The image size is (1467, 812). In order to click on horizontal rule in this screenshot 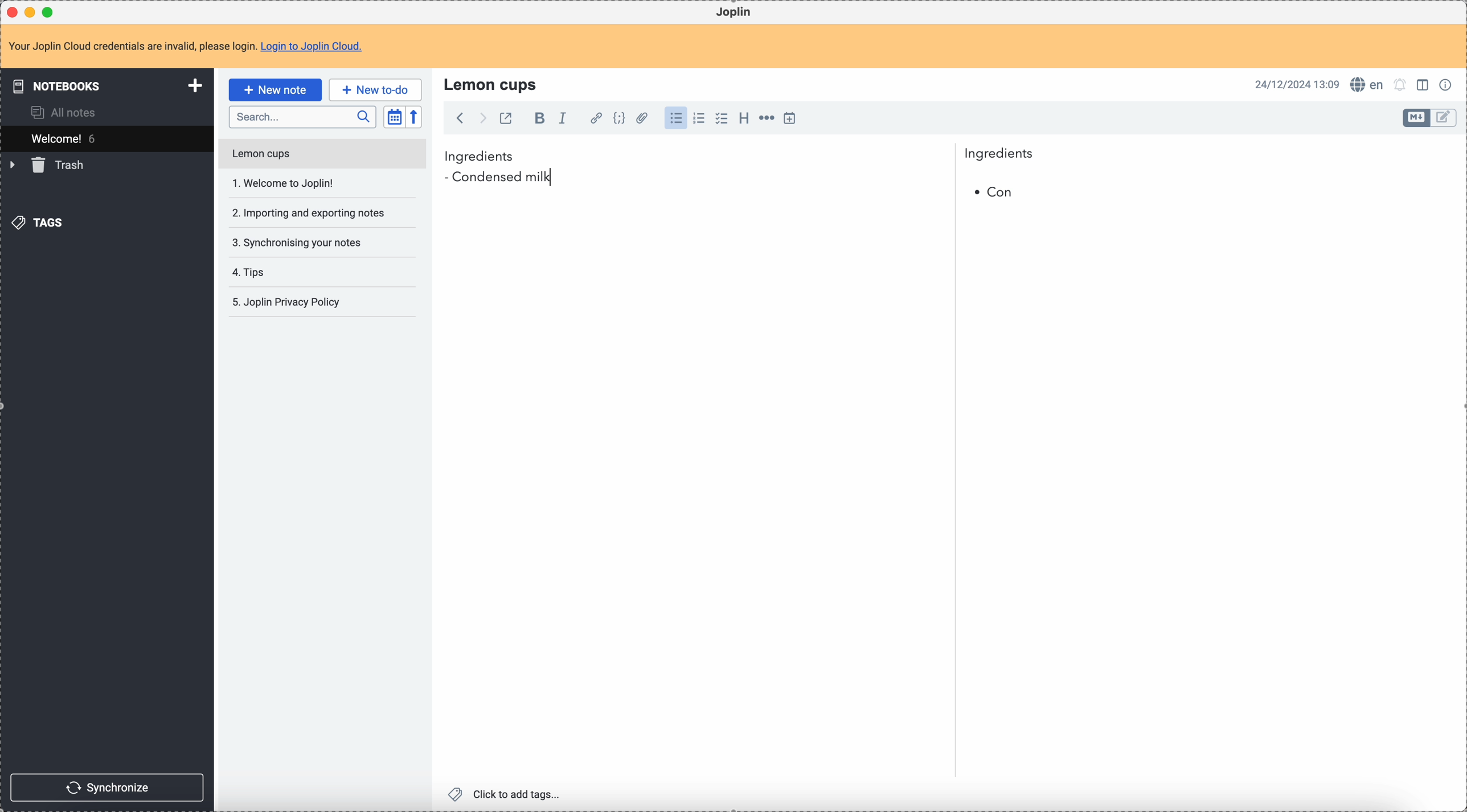, I will do `click(765, 120)`.